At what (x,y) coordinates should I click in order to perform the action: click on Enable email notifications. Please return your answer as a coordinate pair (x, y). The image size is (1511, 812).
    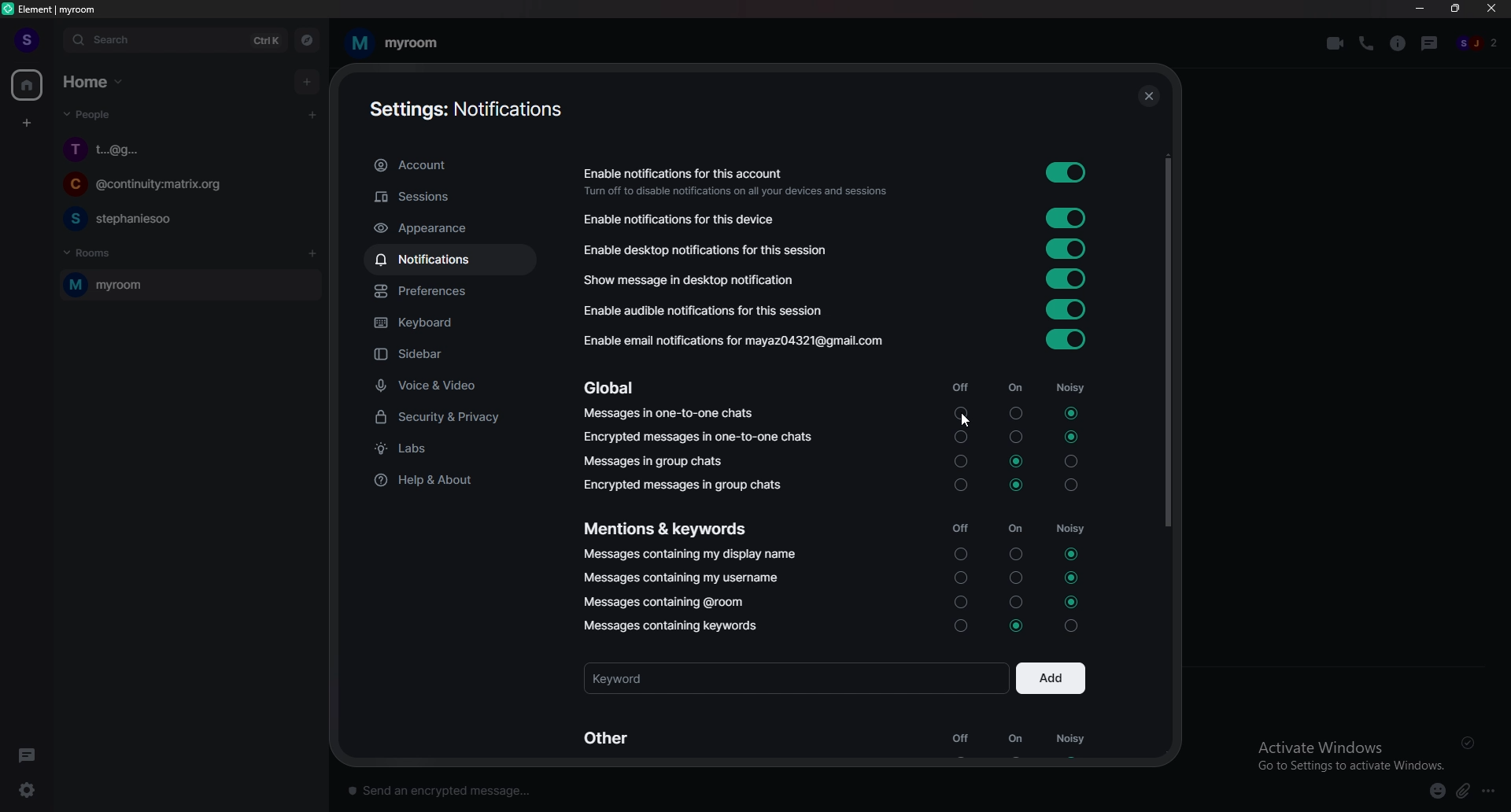
    Looking at the image, I should click on (732, 343).